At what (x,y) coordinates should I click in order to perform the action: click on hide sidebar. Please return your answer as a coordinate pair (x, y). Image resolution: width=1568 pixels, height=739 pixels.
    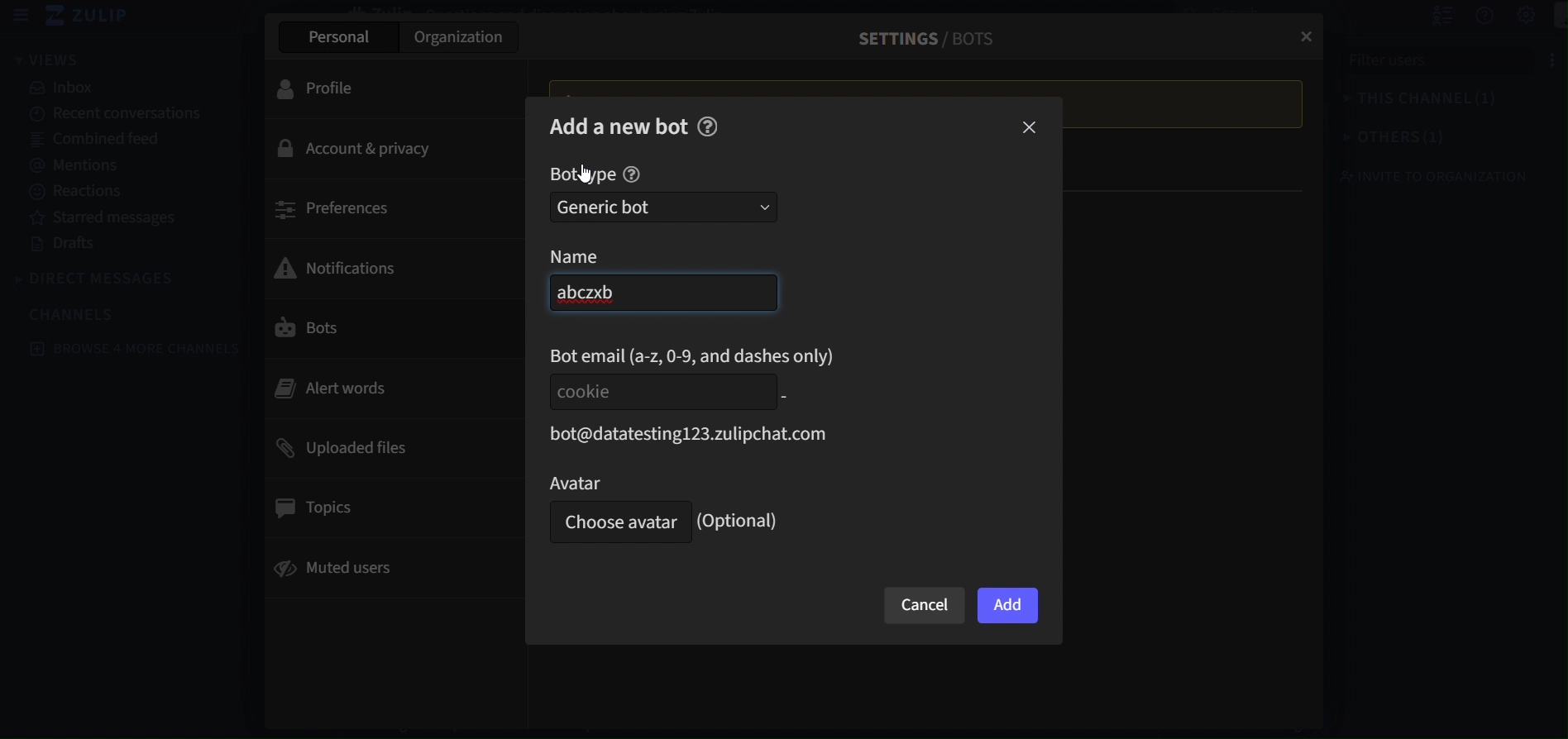
    Looking at the image, I should click on (22, 16).